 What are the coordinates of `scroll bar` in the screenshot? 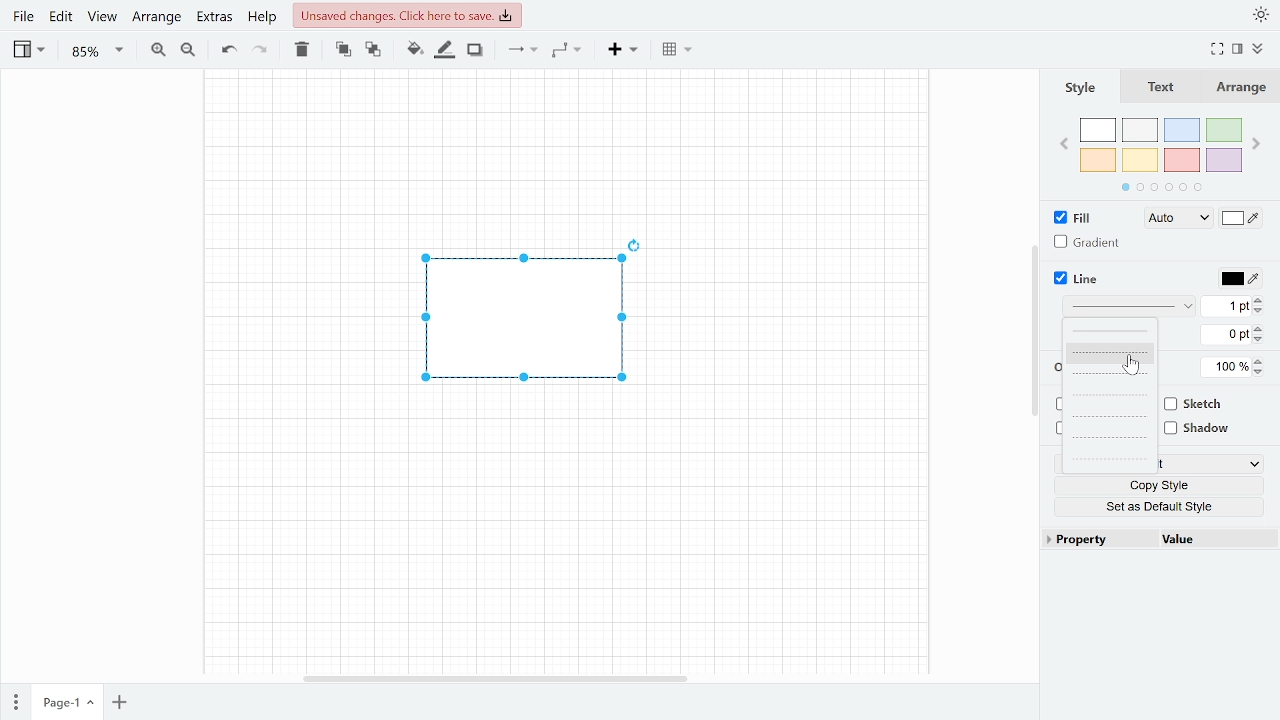 It's located at (497, 679).